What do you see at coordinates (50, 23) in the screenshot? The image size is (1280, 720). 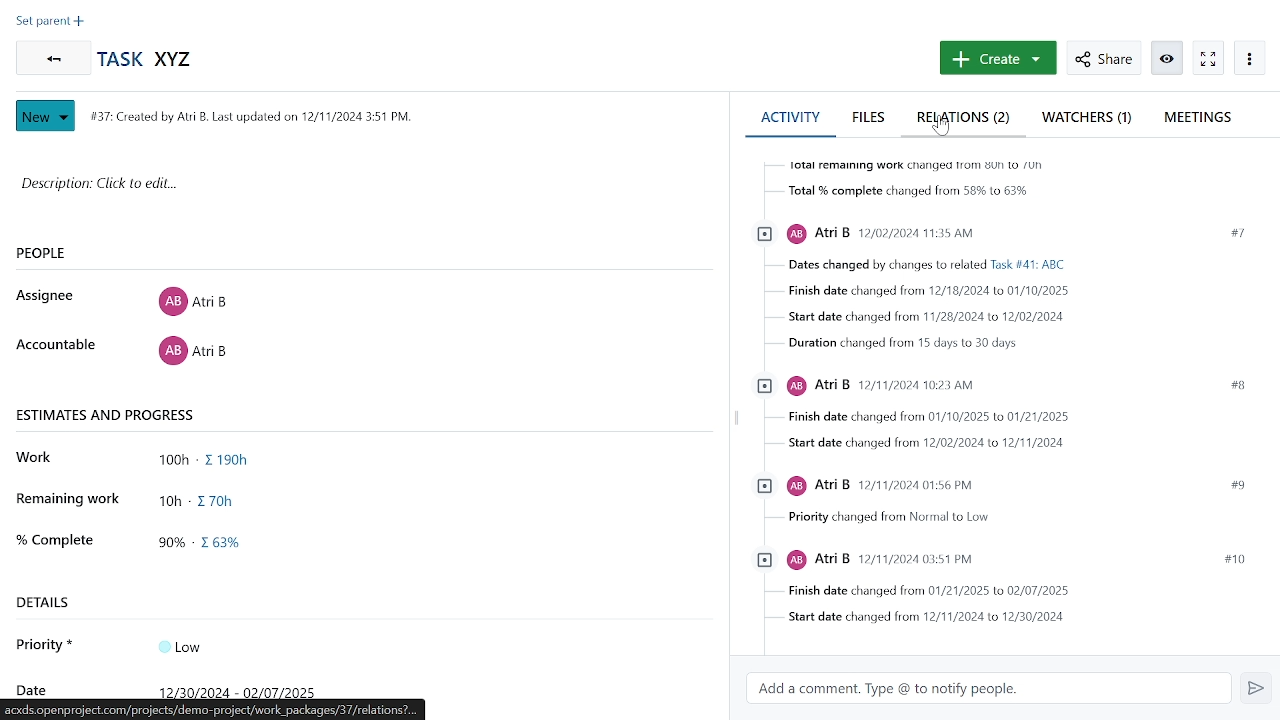 I see `set preset` at bounding box center [50, 23].